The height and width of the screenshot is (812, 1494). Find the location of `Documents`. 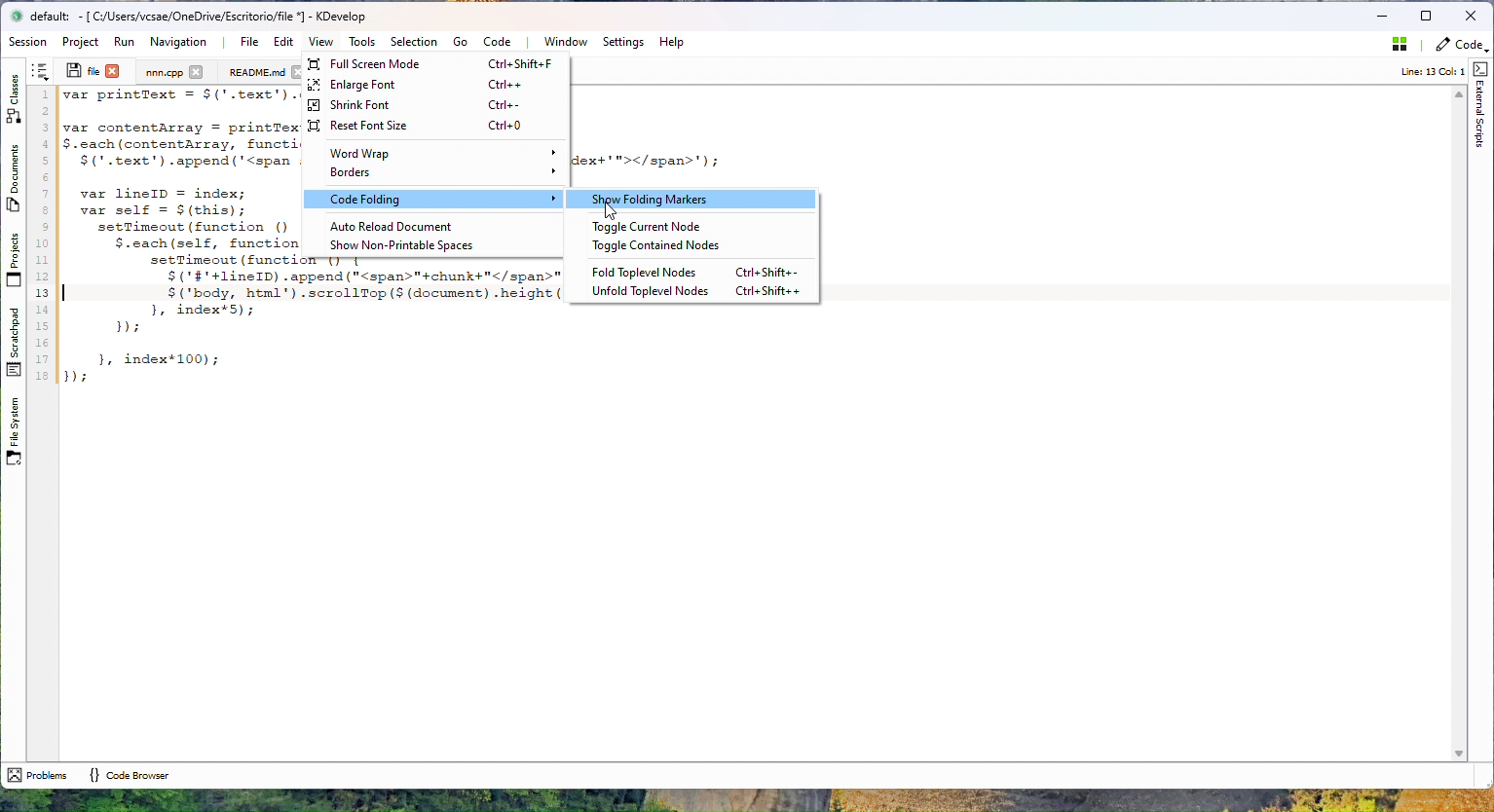

Documents is located at coordinates (15, 181).